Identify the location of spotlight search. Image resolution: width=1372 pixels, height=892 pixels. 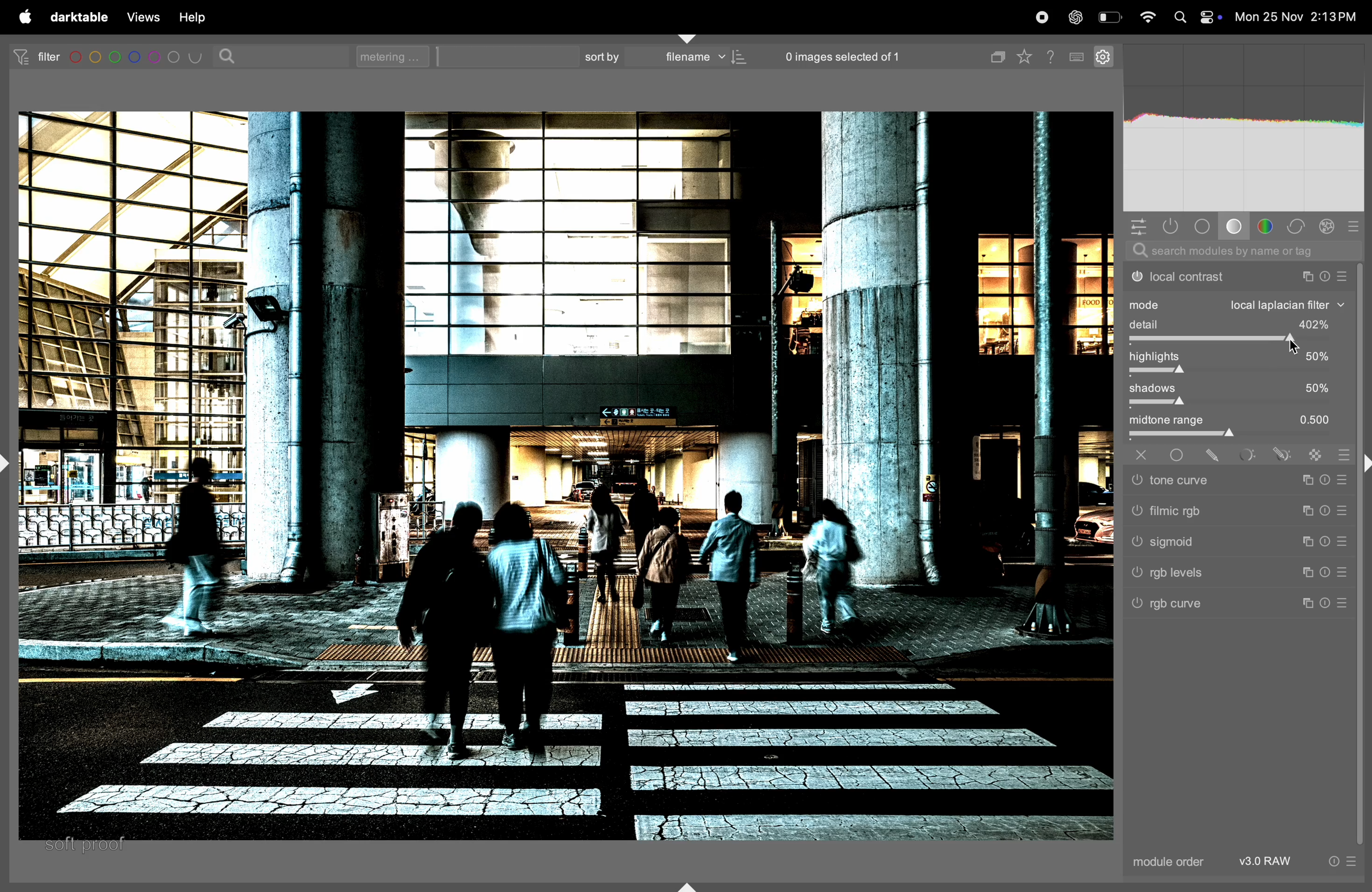
(1179, 18).